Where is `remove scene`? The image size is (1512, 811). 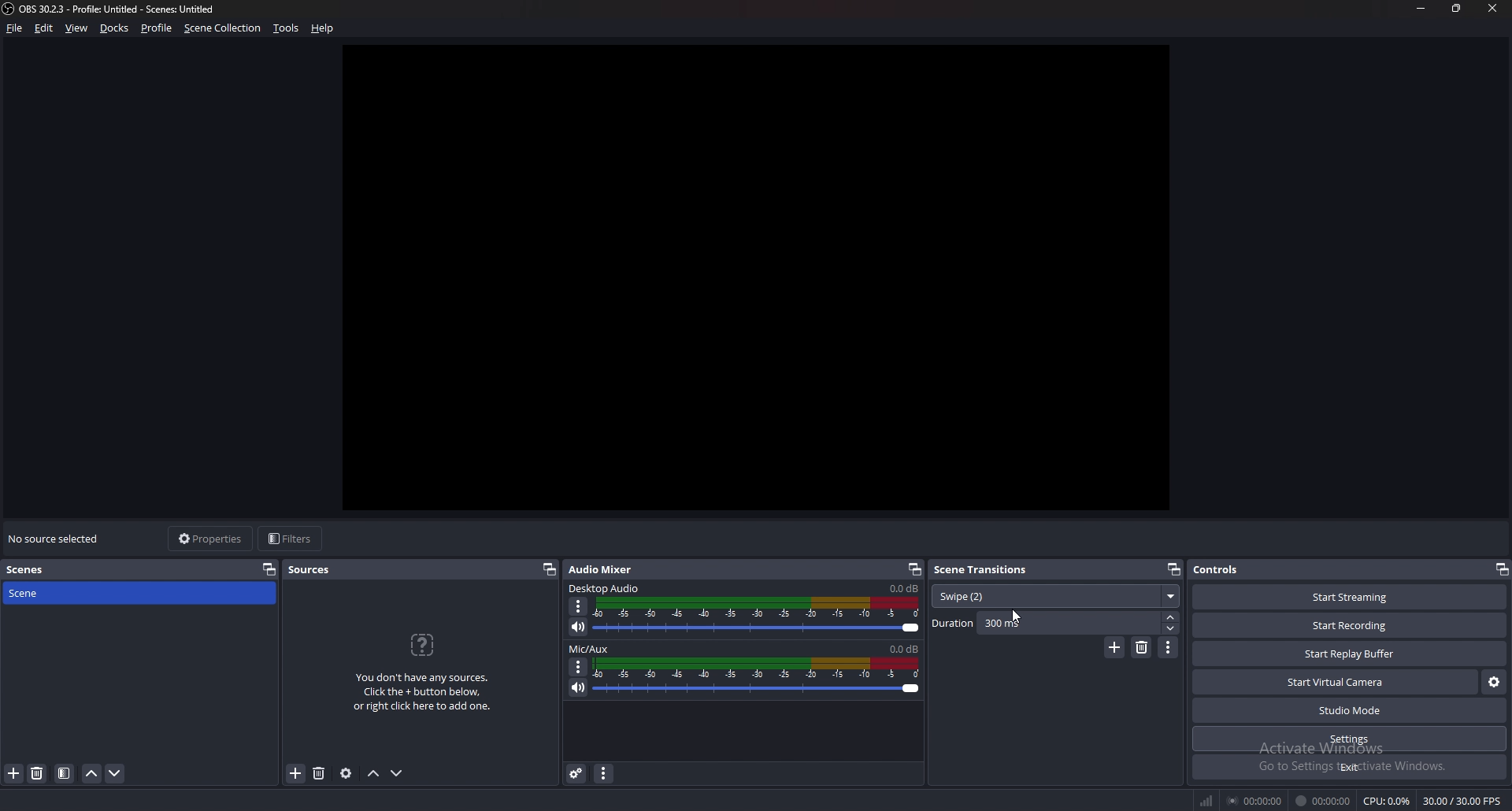 remove scene is located at coordinates (37, 773).